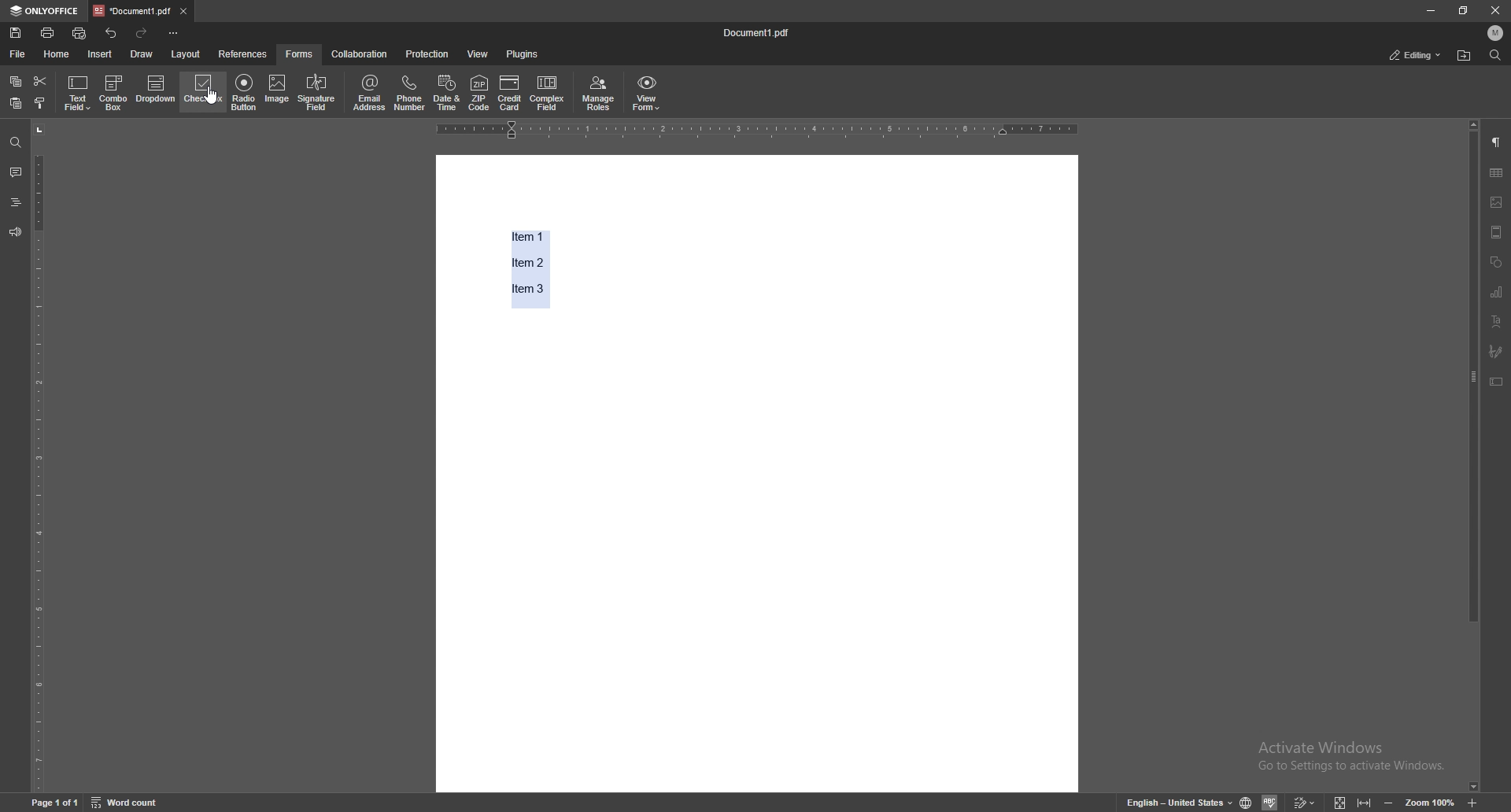 Image resolution: width=1511 pixels, height=812 pixels. I want to click on resize, so click(1463, 10).